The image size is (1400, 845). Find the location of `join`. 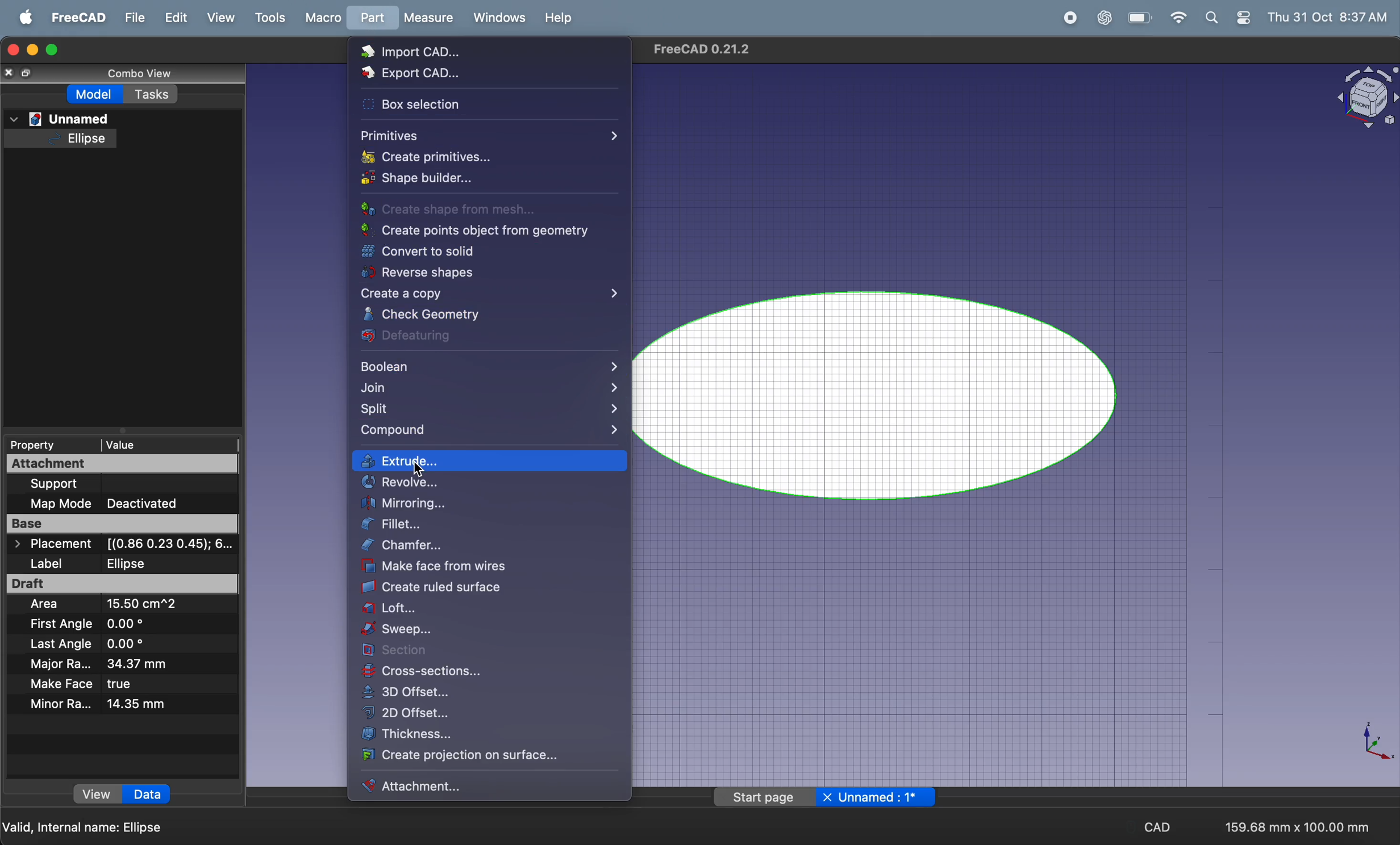

join is located at coordinates (487, 390).